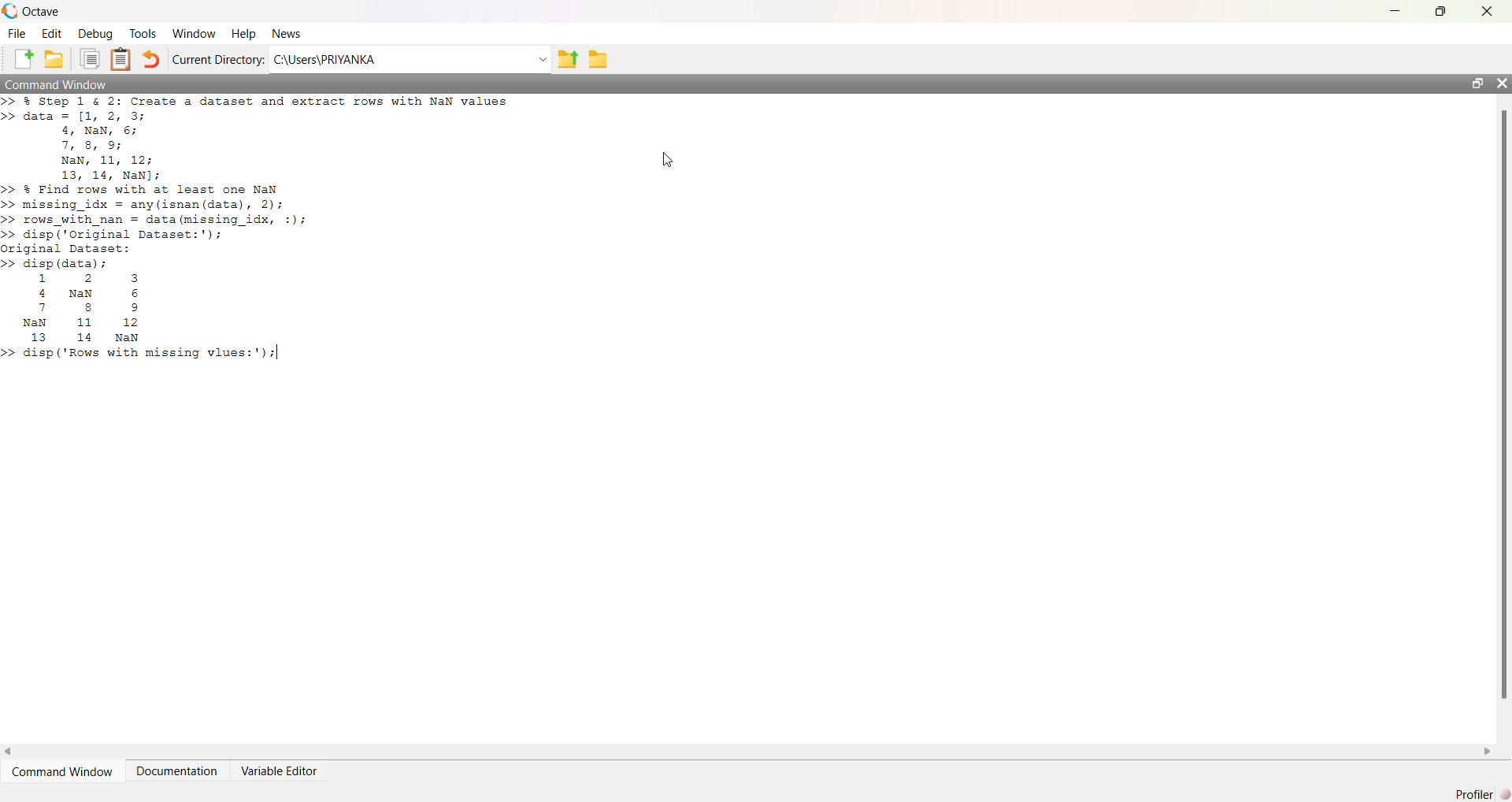  What do you see at coordinates (1482, 794) in the screenshot?
I see `Profiler` at bounding box center [1482, 794].